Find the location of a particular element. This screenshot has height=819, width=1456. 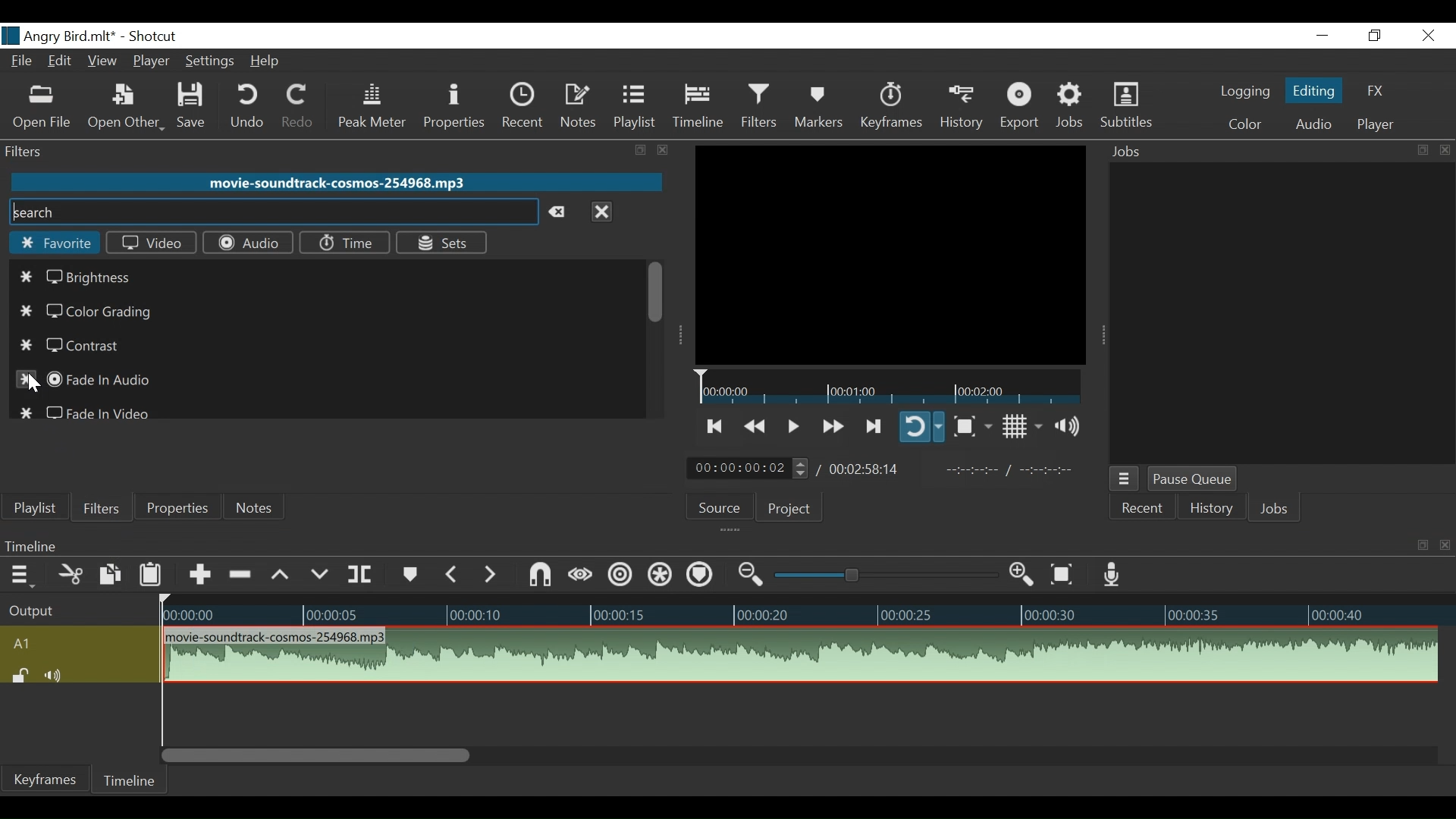

Keyframes is located at coordinates (890, 106).